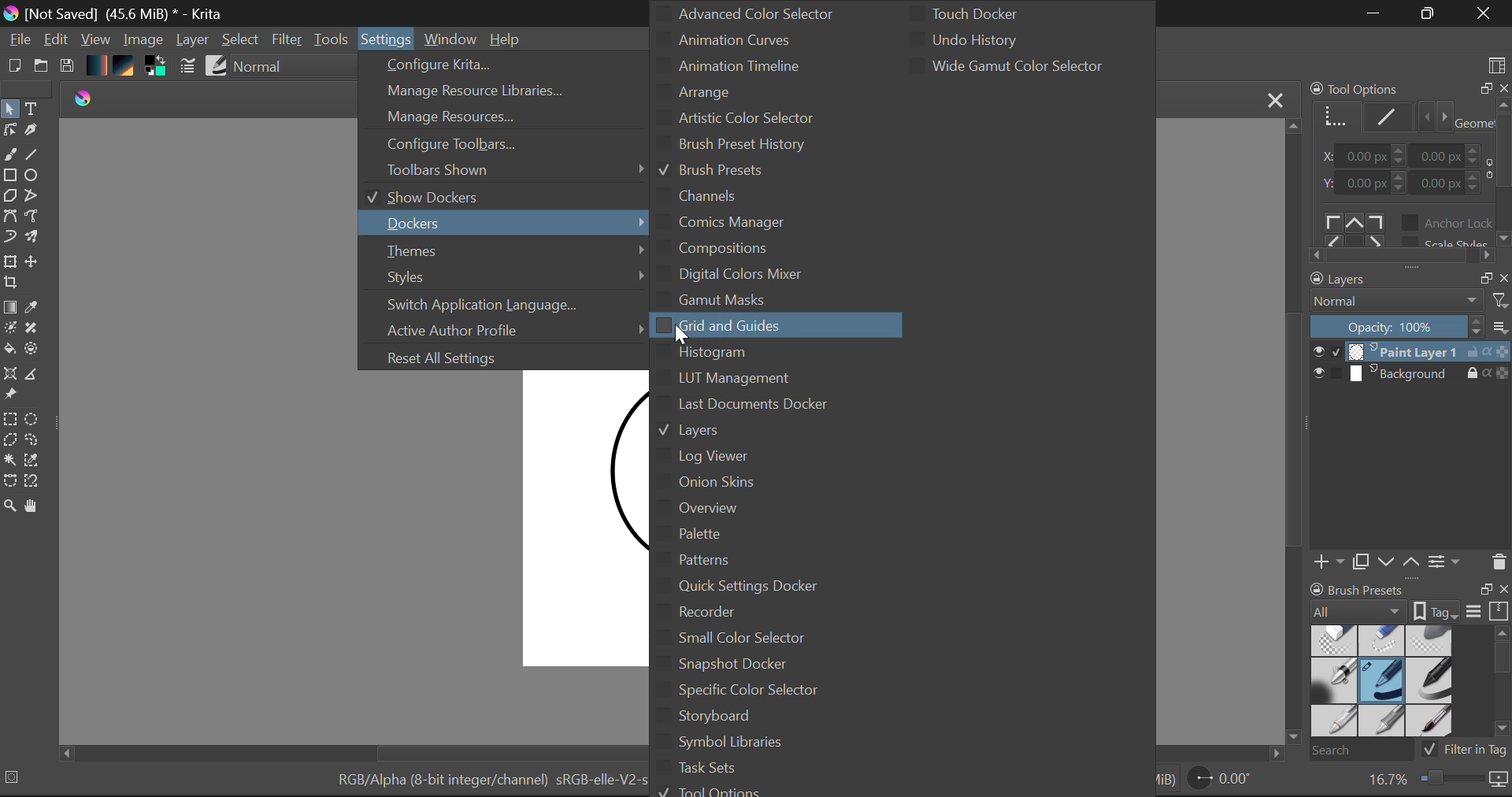  I want to click on logo, so click(91, 98).